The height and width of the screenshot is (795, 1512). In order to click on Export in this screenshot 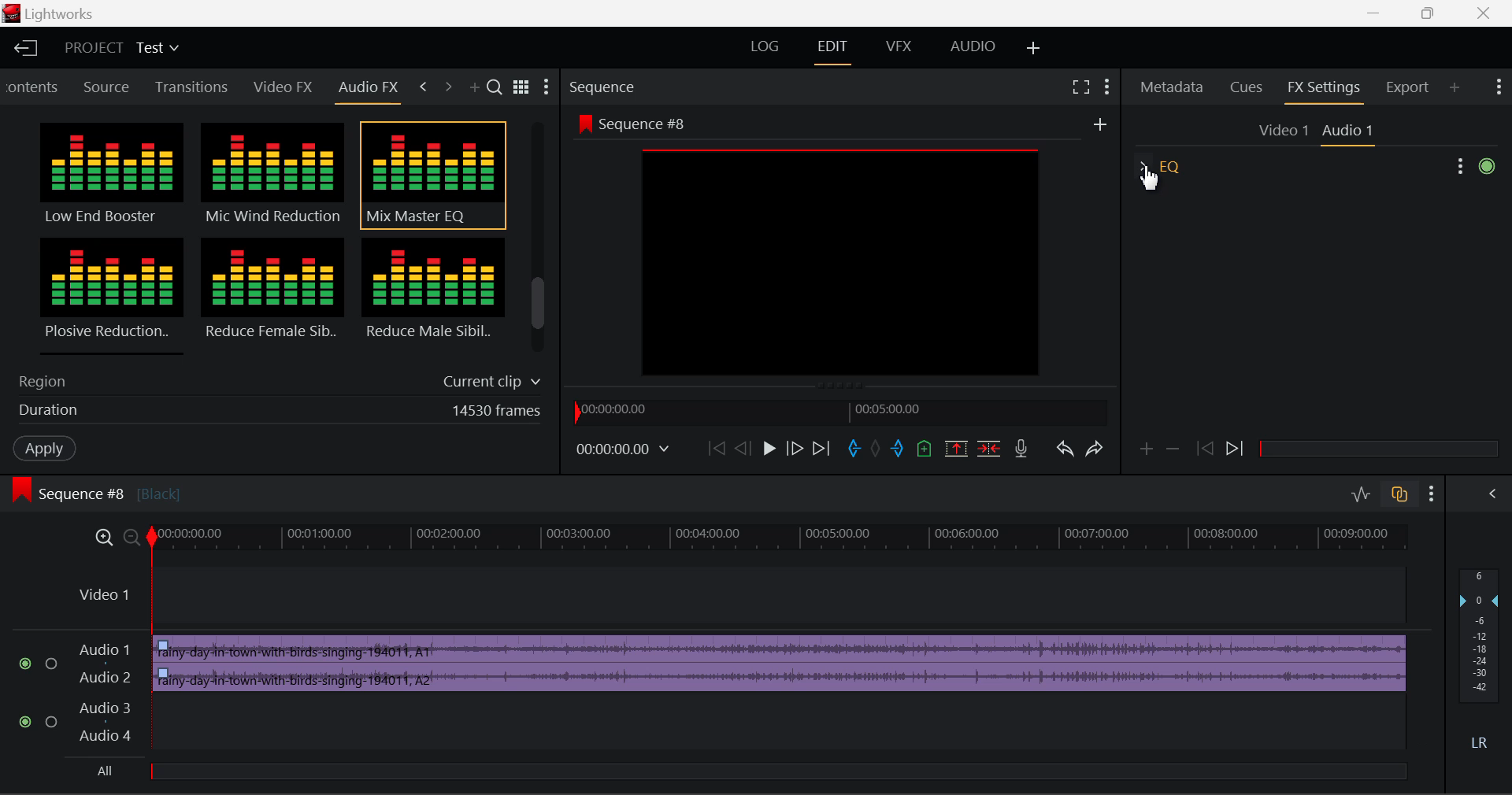, I will do `click(1408, 87)`.